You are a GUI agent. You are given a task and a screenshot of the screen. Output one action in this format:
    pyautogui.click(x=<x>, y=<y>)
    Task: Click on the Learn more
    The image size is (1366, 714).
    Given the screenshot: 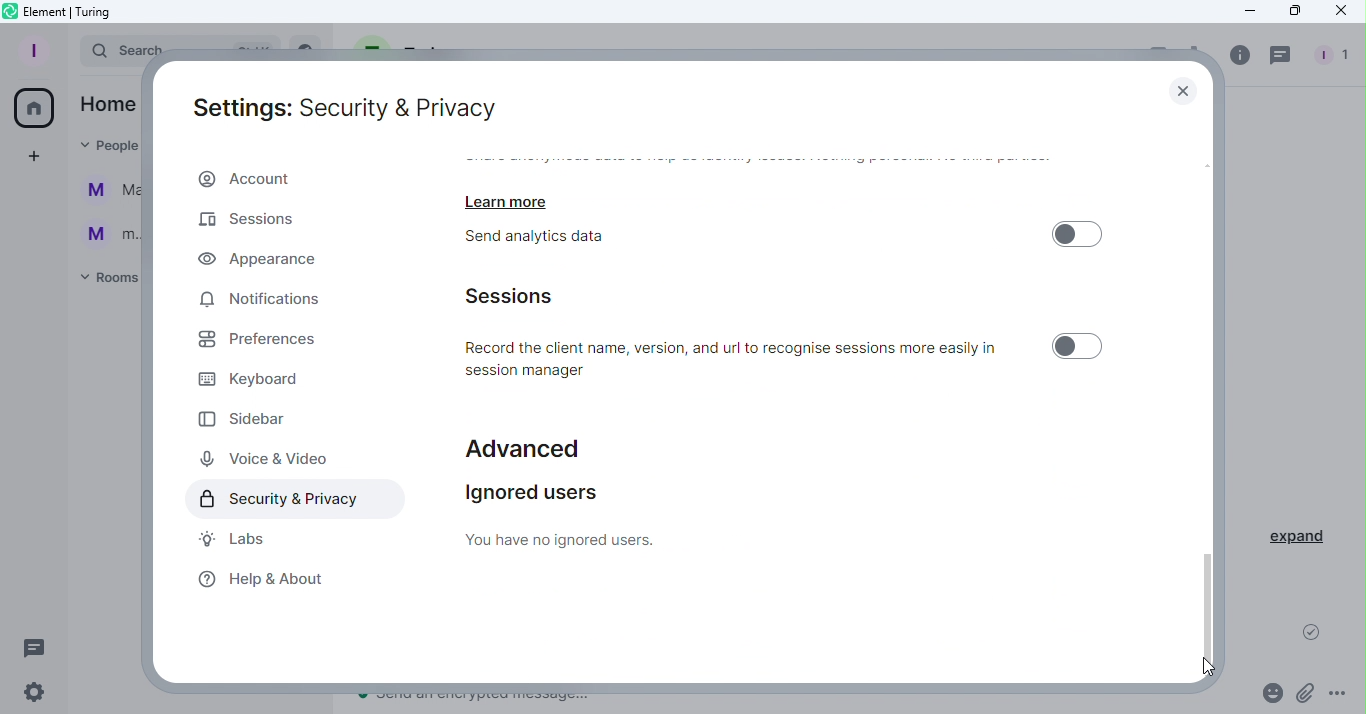 What is the action you would take?
    pyautogui.click(x=514, y=197)
    